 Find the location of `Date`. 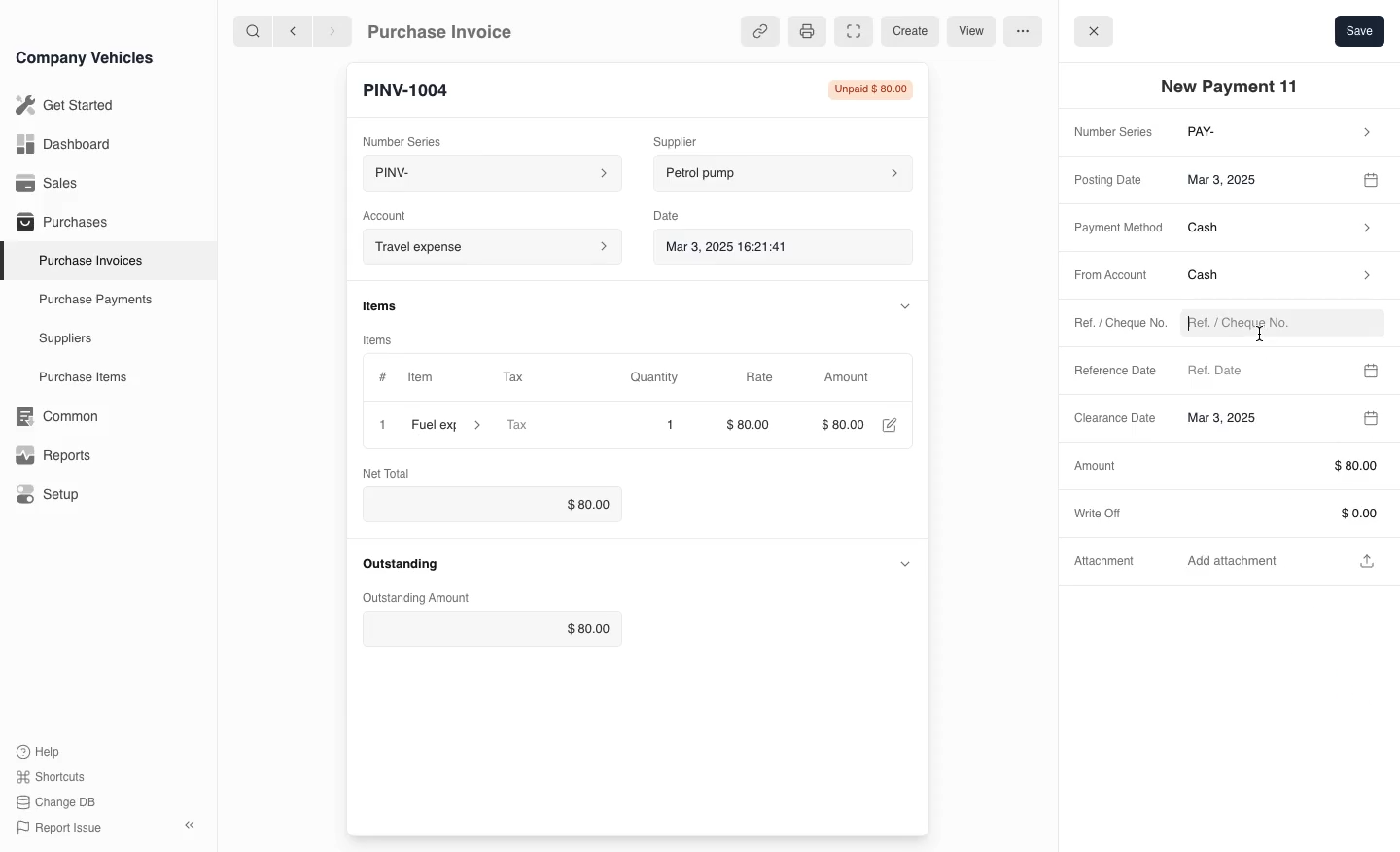

Date is located at coordinates (676, 212).